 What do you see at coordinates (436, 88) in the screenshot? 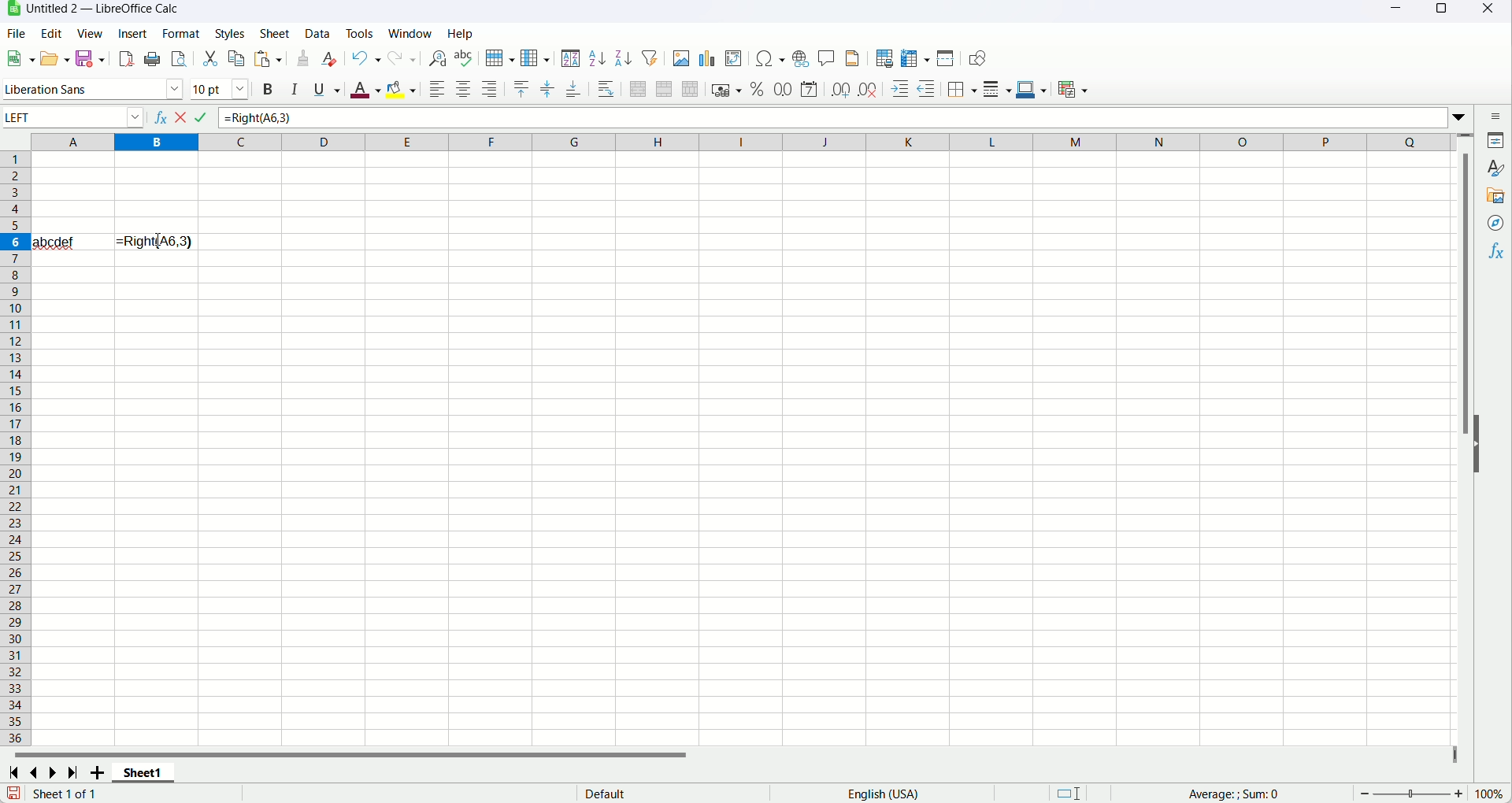
I see `align left` at bounding box center [436, 88].